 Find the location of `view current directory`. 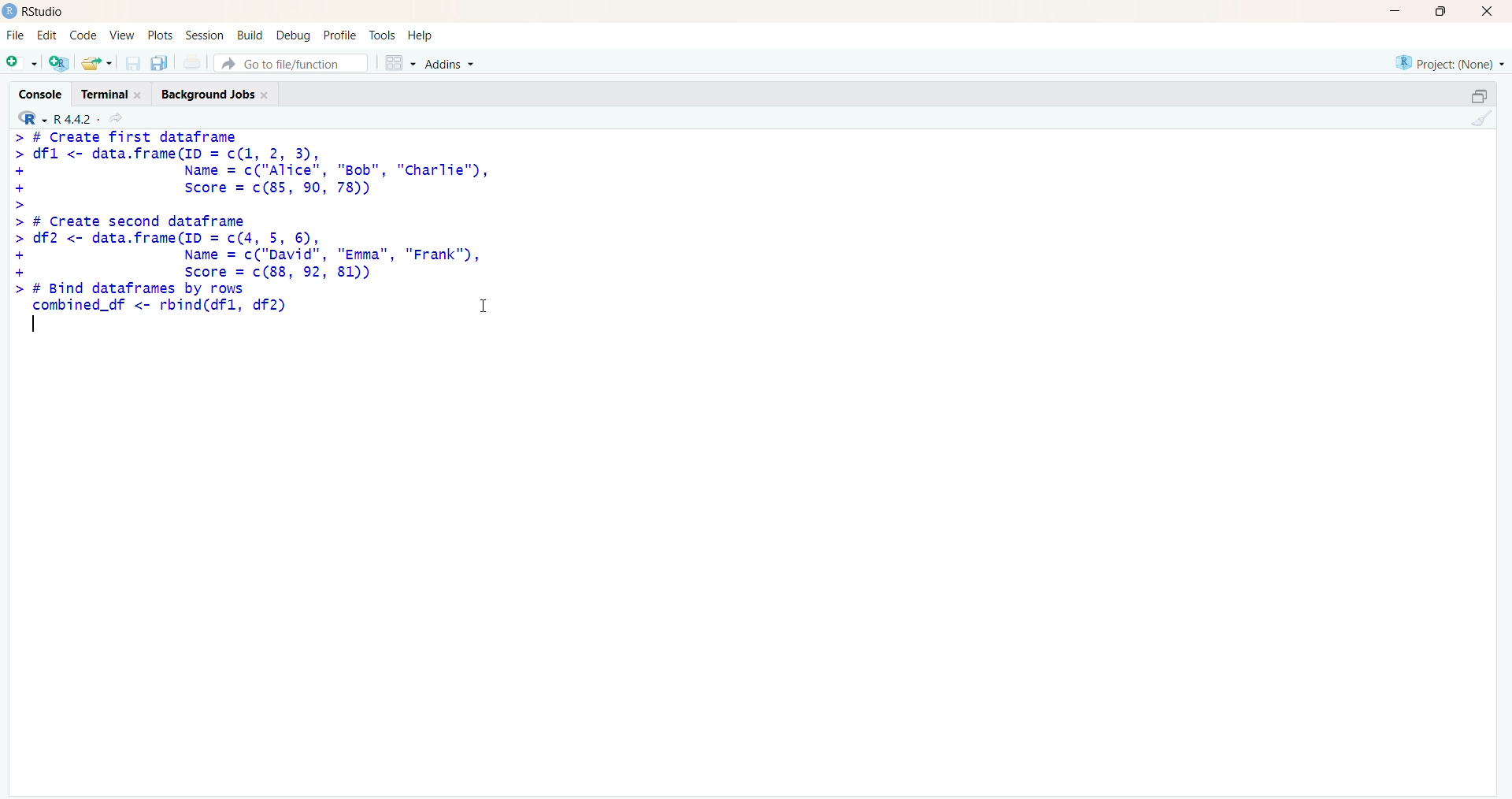

view current directory is located at coordinates (115, 117).